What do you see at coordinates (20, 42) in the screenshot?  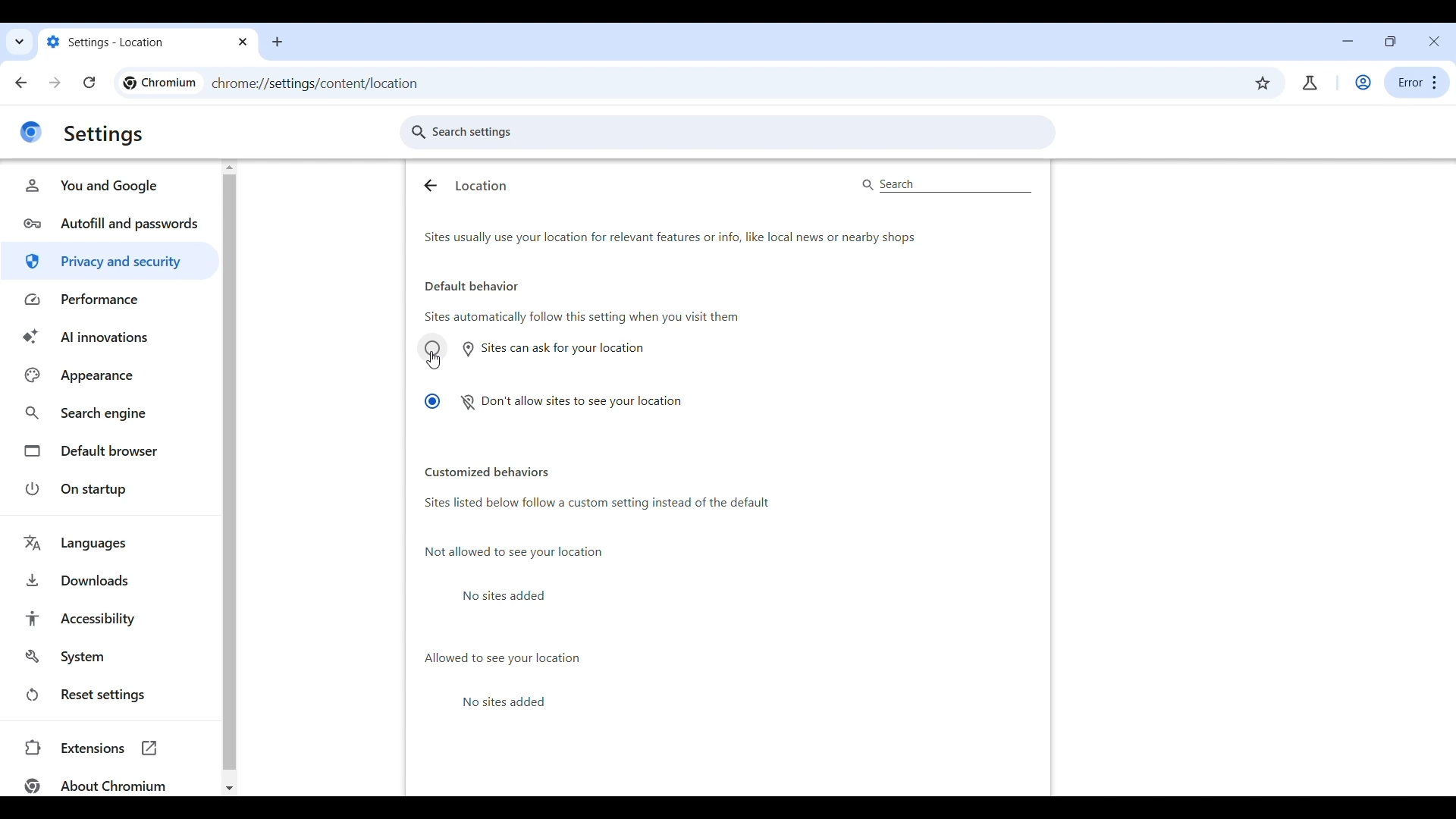 I see `Quick search through tabs` at bounding box center [20, 42].